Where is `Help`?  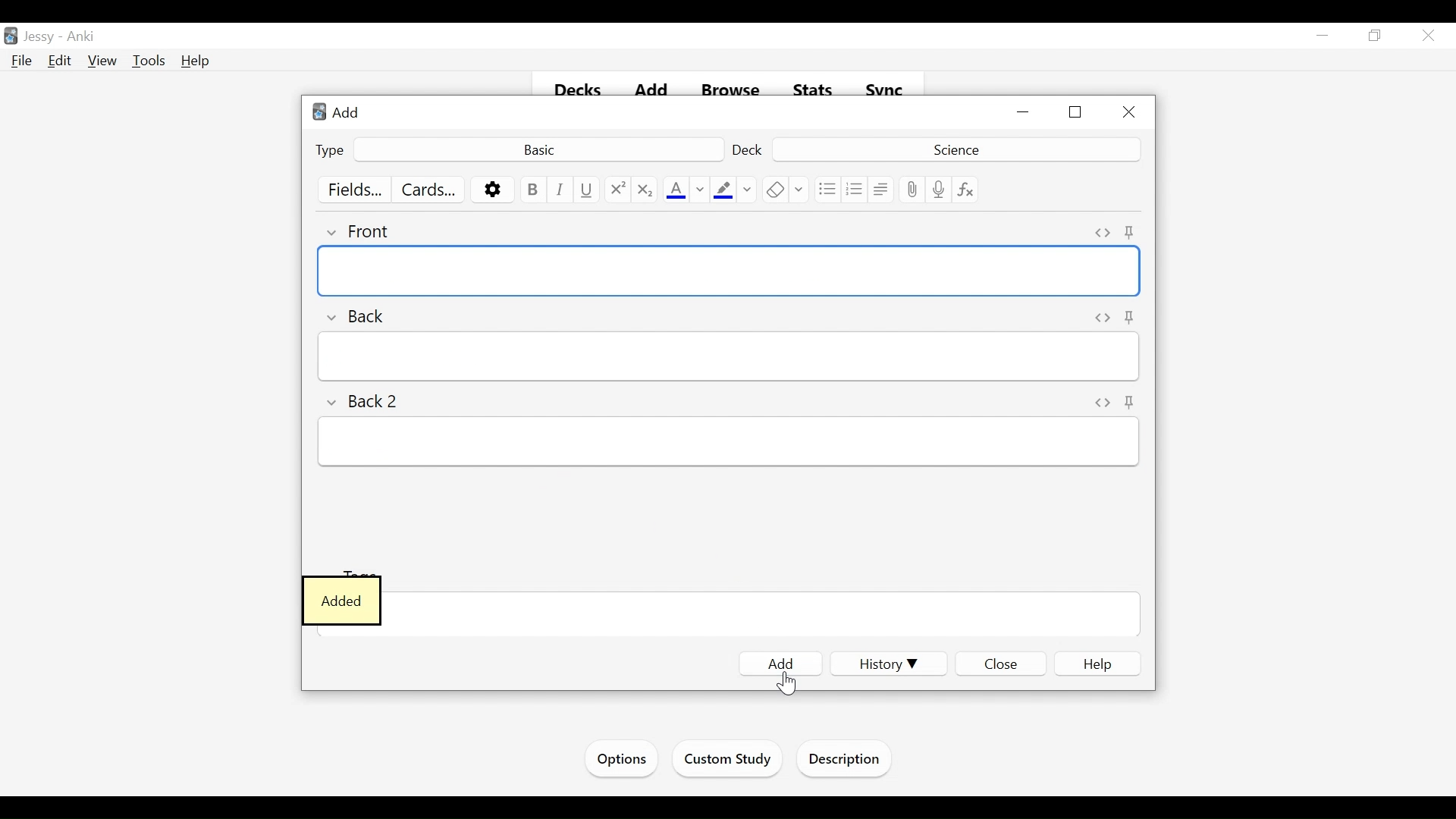 Help is located at coordinates (196, 61).